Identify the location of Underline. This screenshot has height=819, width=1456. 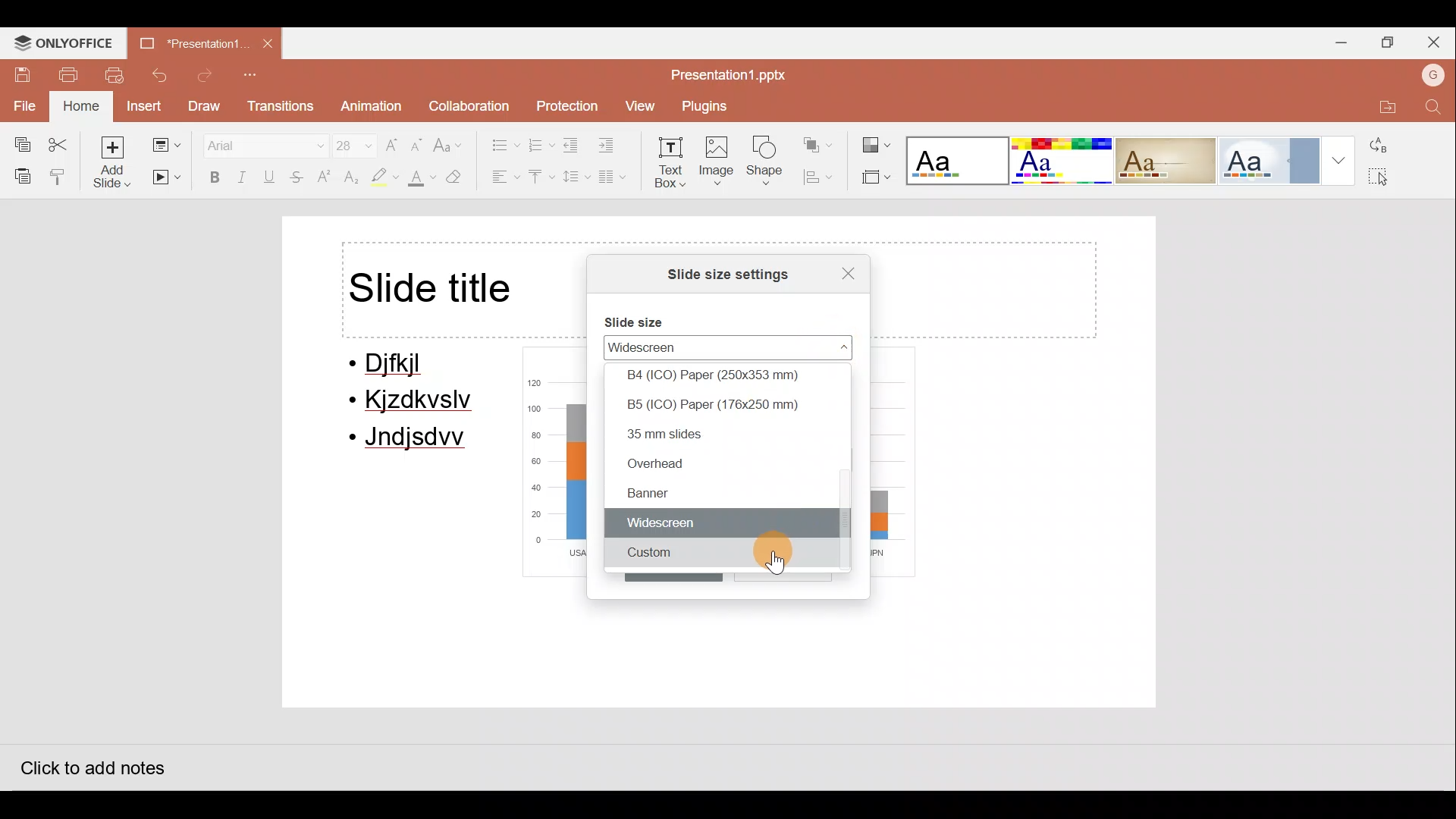
(272, 177).